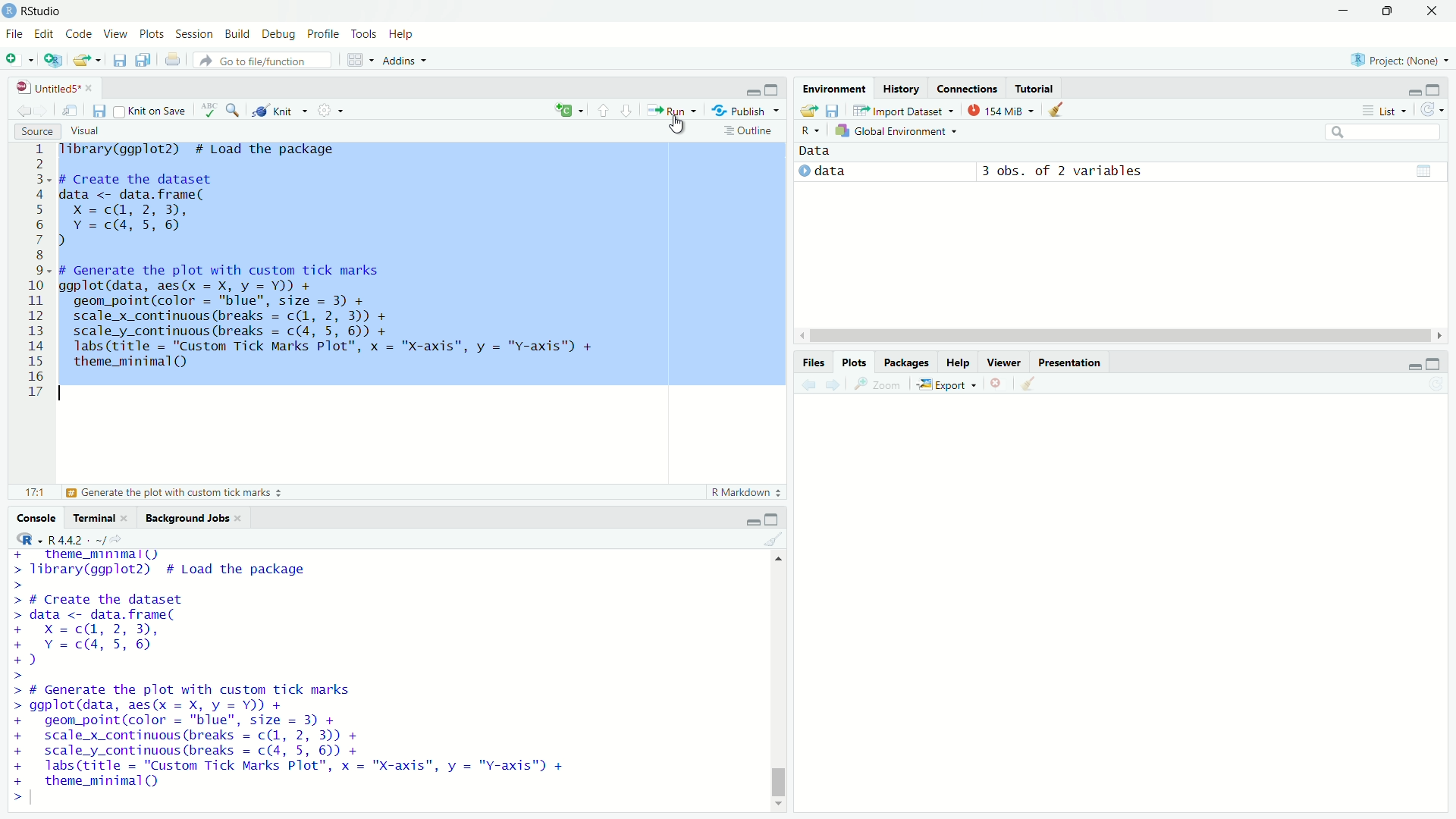 The width and height of the screenshot is (1456, 819). Describe the element at coordinates (217, 150) in the screenshot. I see `library to load the package` at that location.